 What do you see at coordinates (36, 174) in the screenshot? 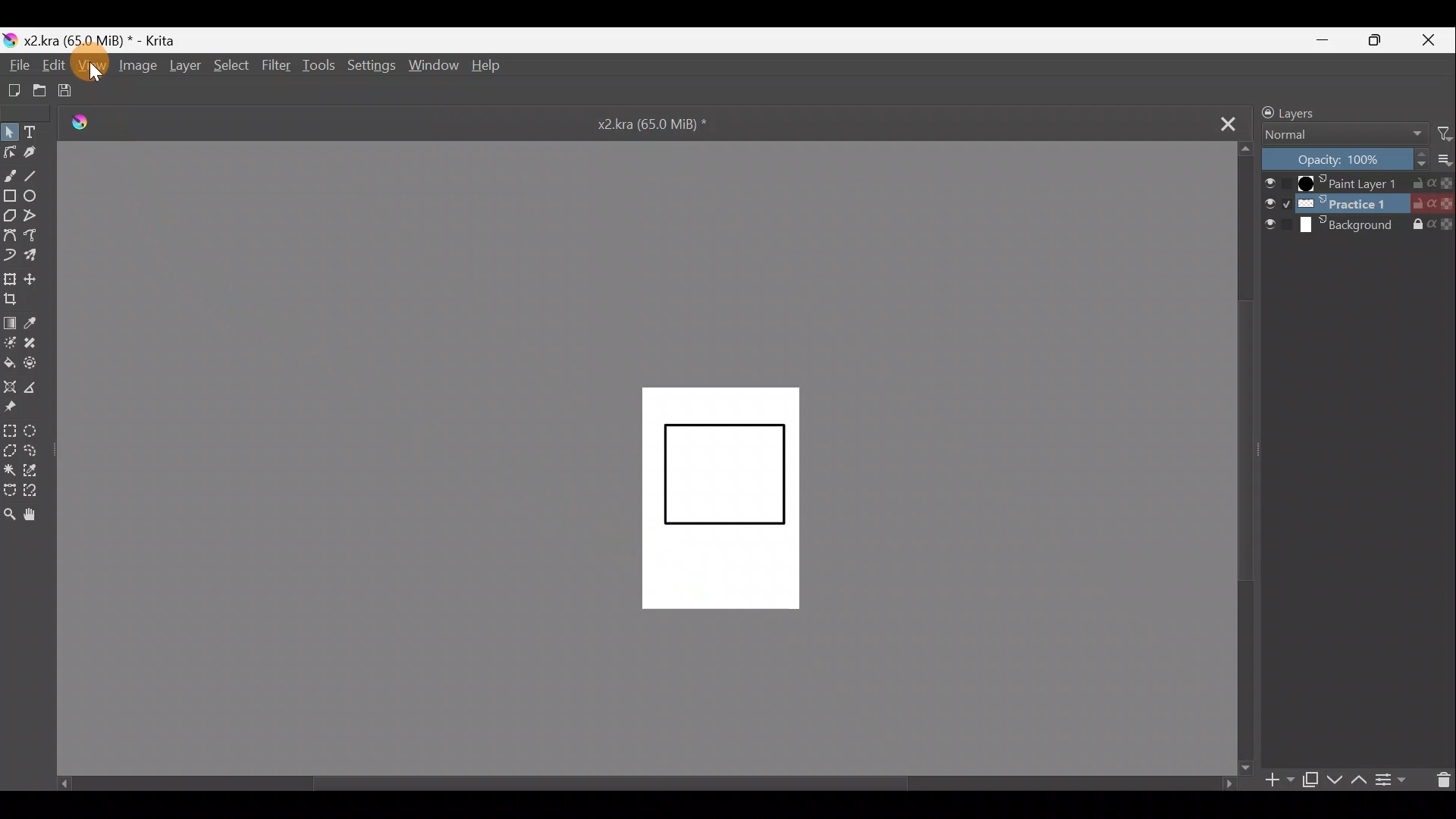
I see `Line tool` at bounding box center [36, 174].